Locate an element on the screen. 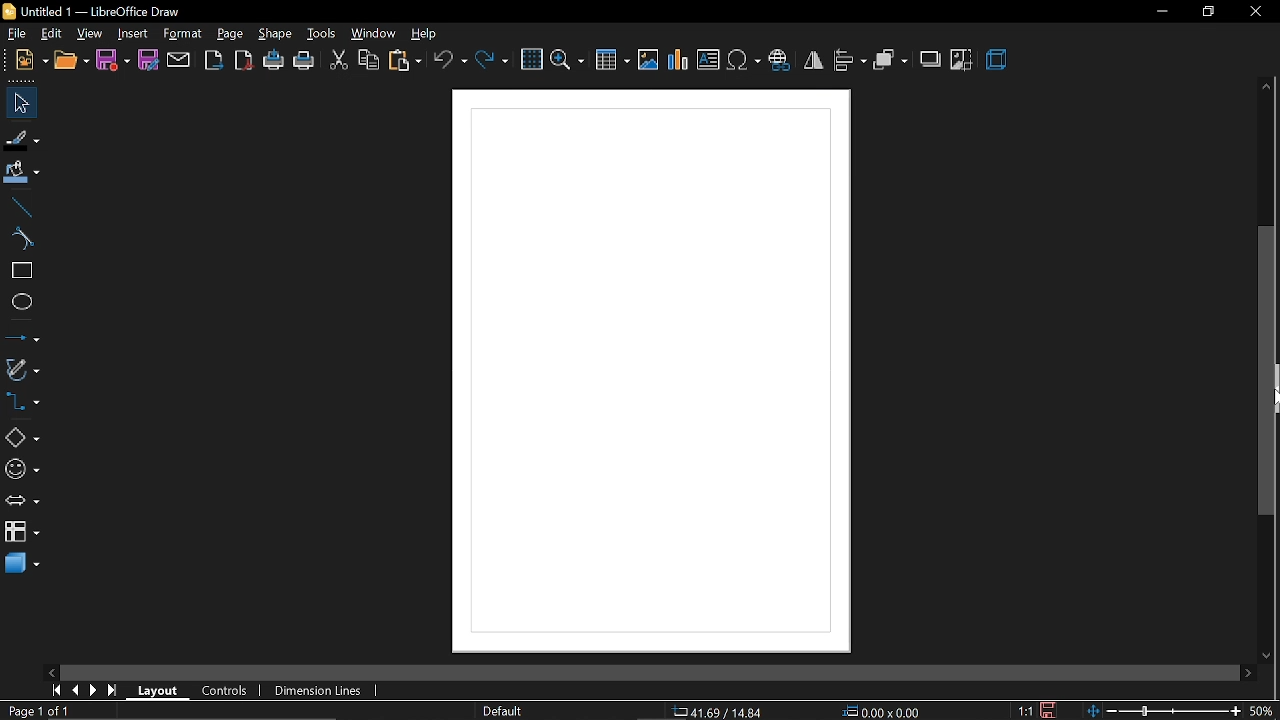 This screenshot has height=720, width=1280. change zoom is located at coordinates (1173, 711).